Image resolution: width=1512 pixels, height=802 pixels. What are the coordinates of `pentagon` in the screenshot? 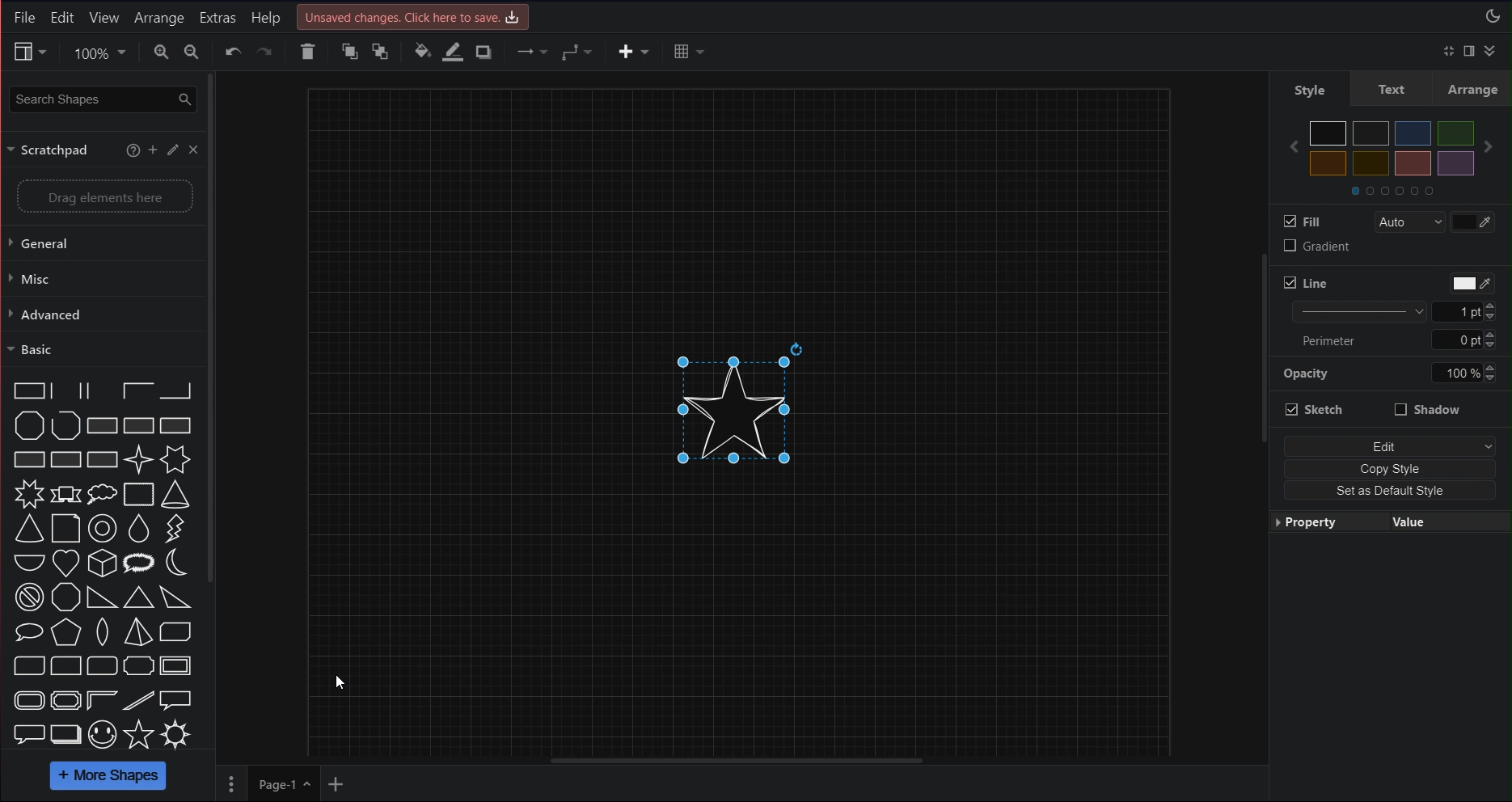 It's located at (65, 632).